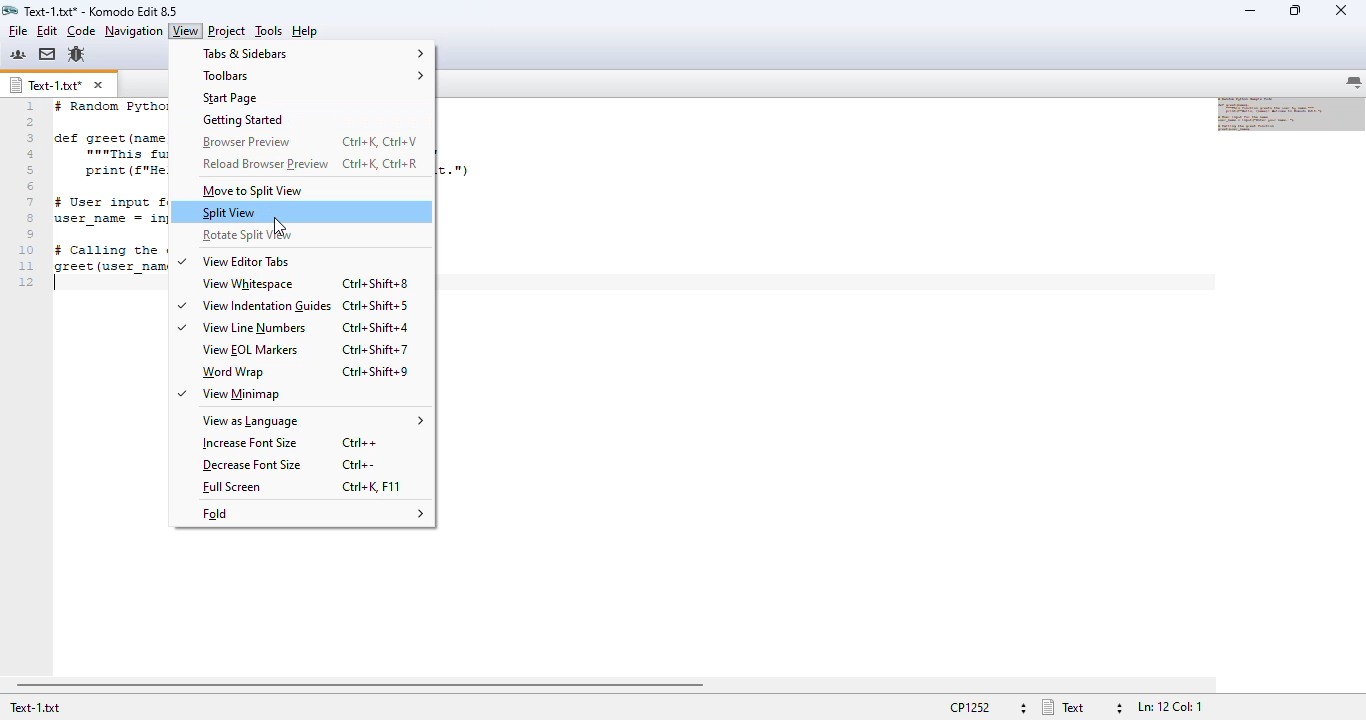 The image size is (1366, 720). Describe the element at coordinates (380, 141) in the screenshot. I see `shortcut for browser preview` at that location.